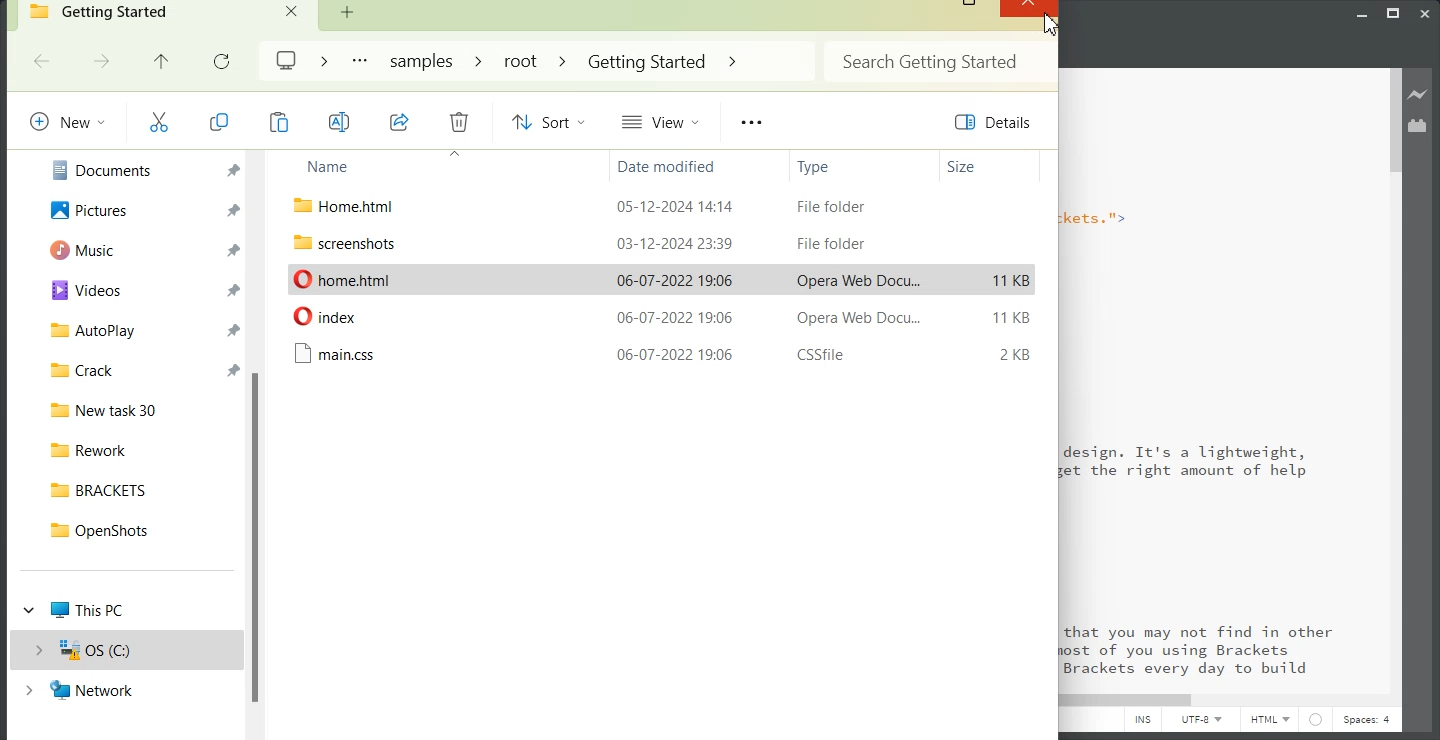  What do you see at coordinates (424, 61) in the screenshot?
I see `Samples` at bounding box center [424, 61].